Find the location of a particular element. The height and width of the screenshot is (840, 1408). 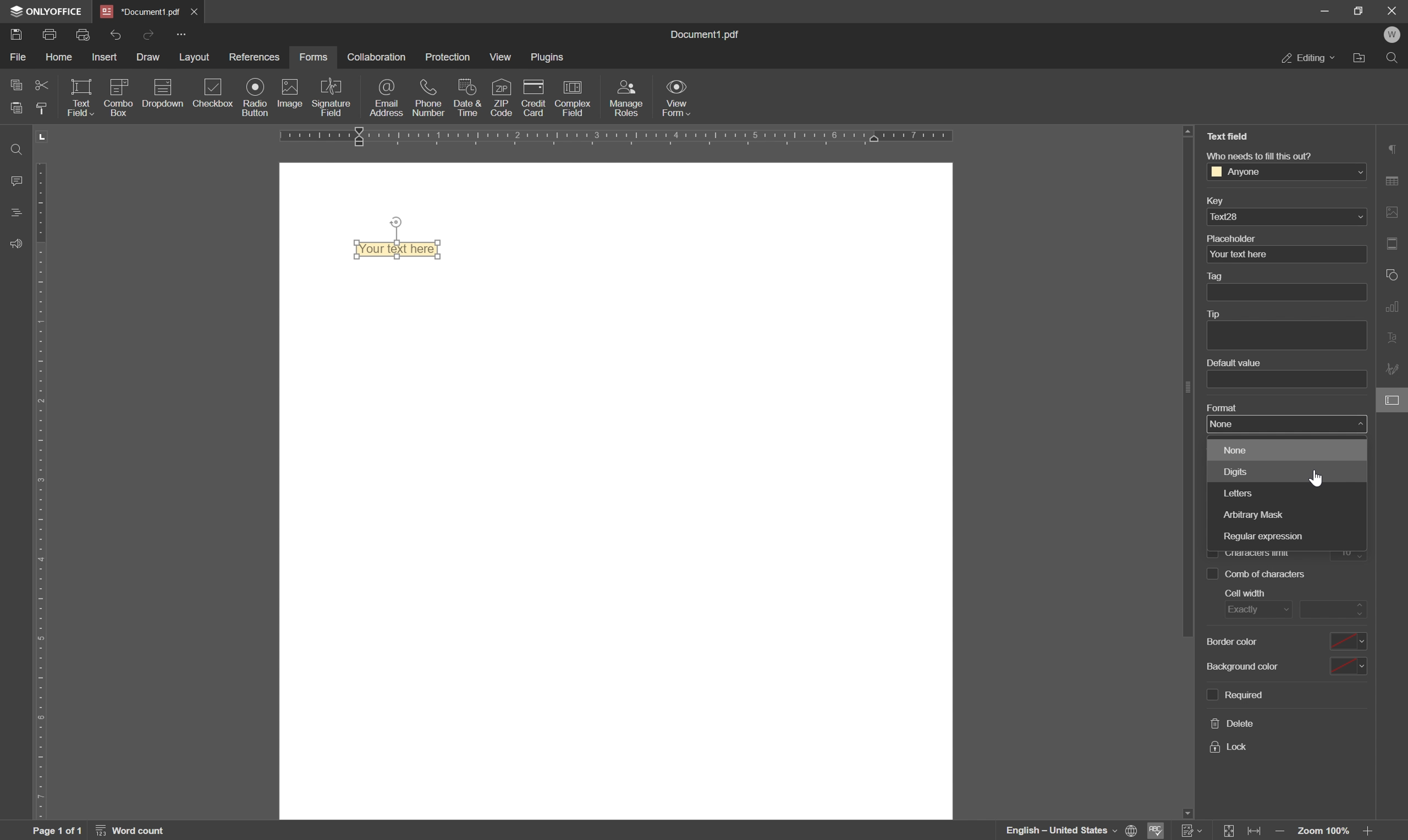

cell with is located at coordinates (1246, 593).